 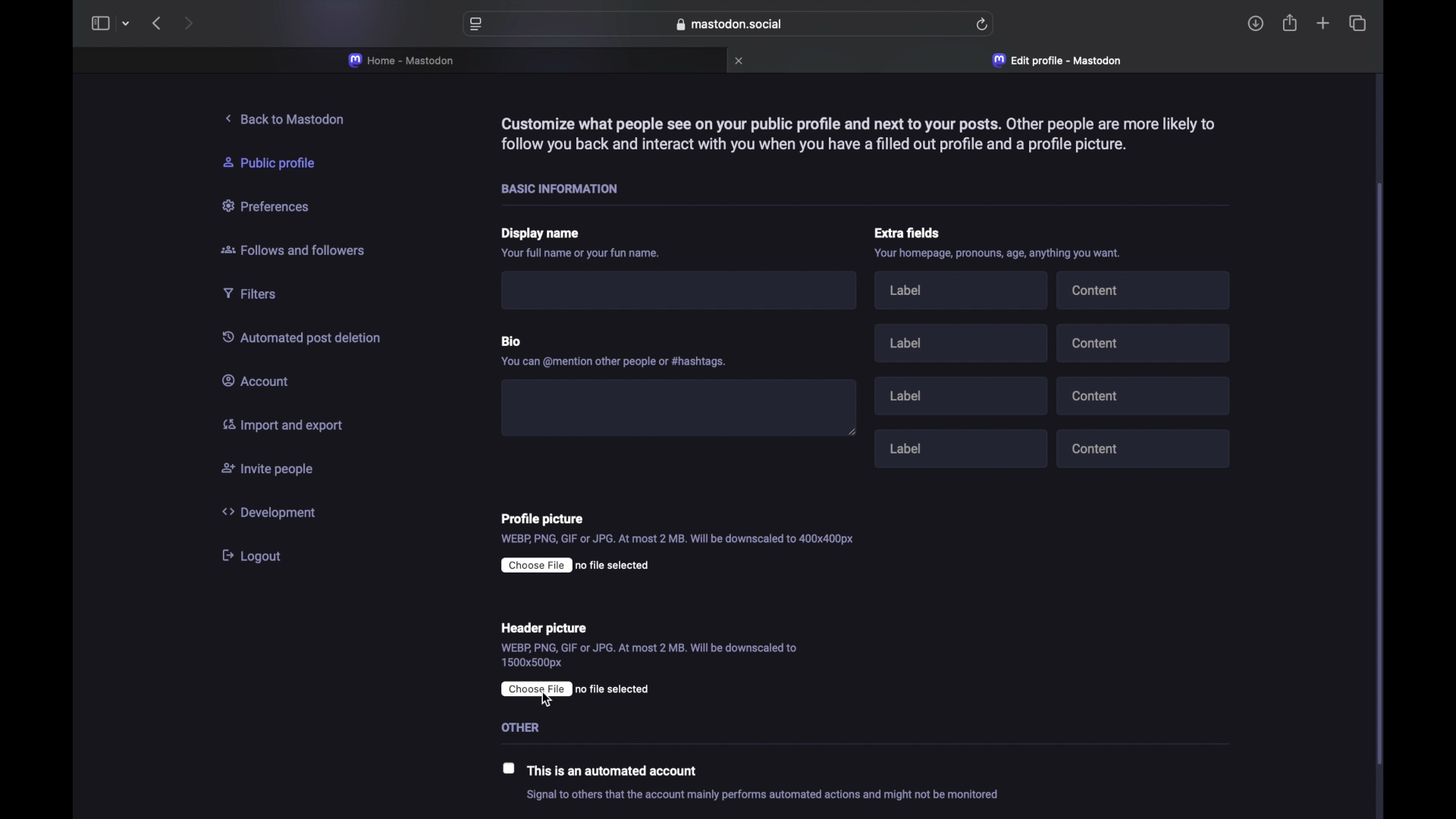 I want to click on extra fields, so click(x=909, y=233).